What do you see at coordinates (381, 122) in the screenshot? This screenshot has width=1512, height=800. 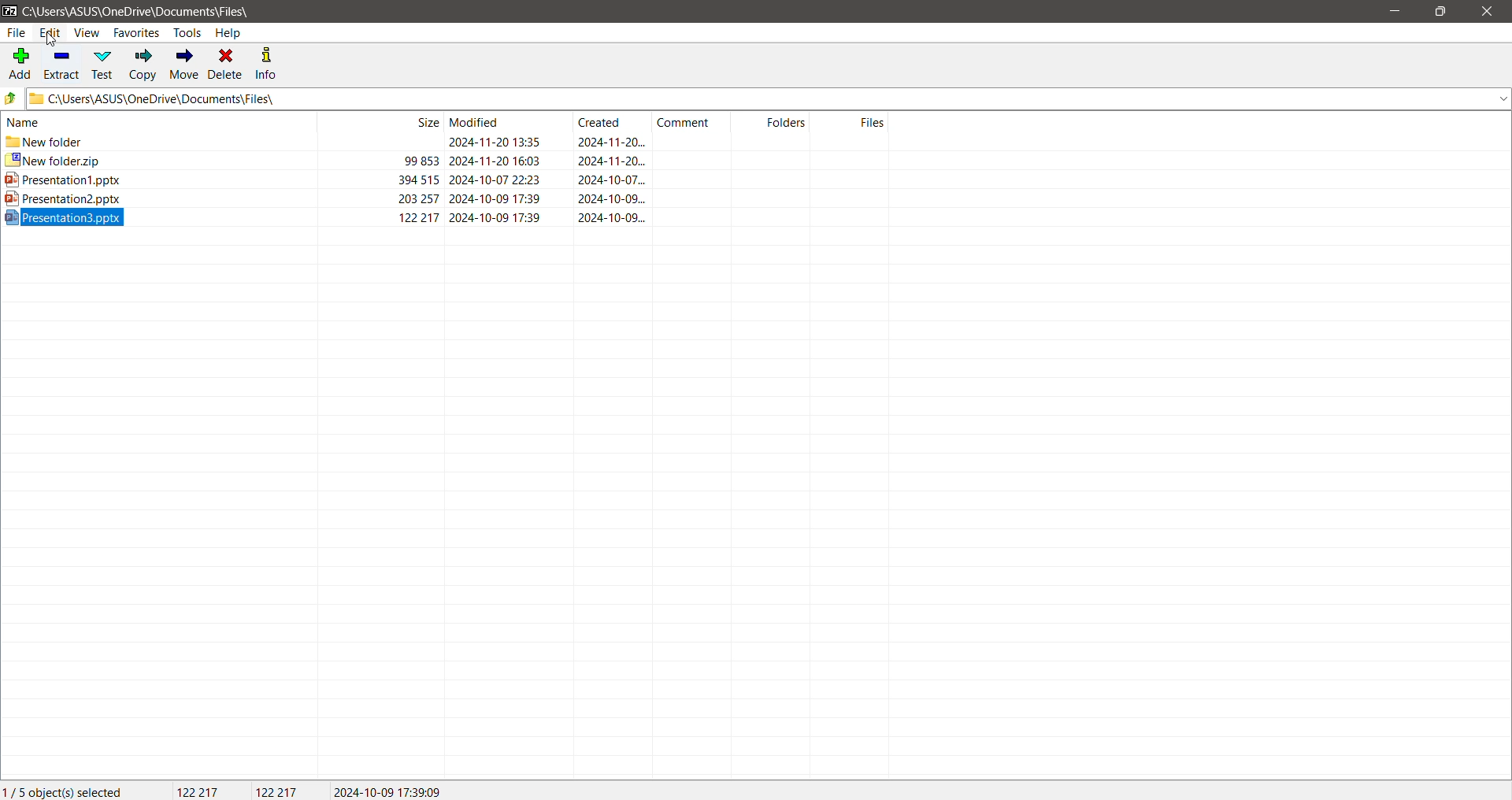 I see `File Sizes` at bounding box center [381, 122].